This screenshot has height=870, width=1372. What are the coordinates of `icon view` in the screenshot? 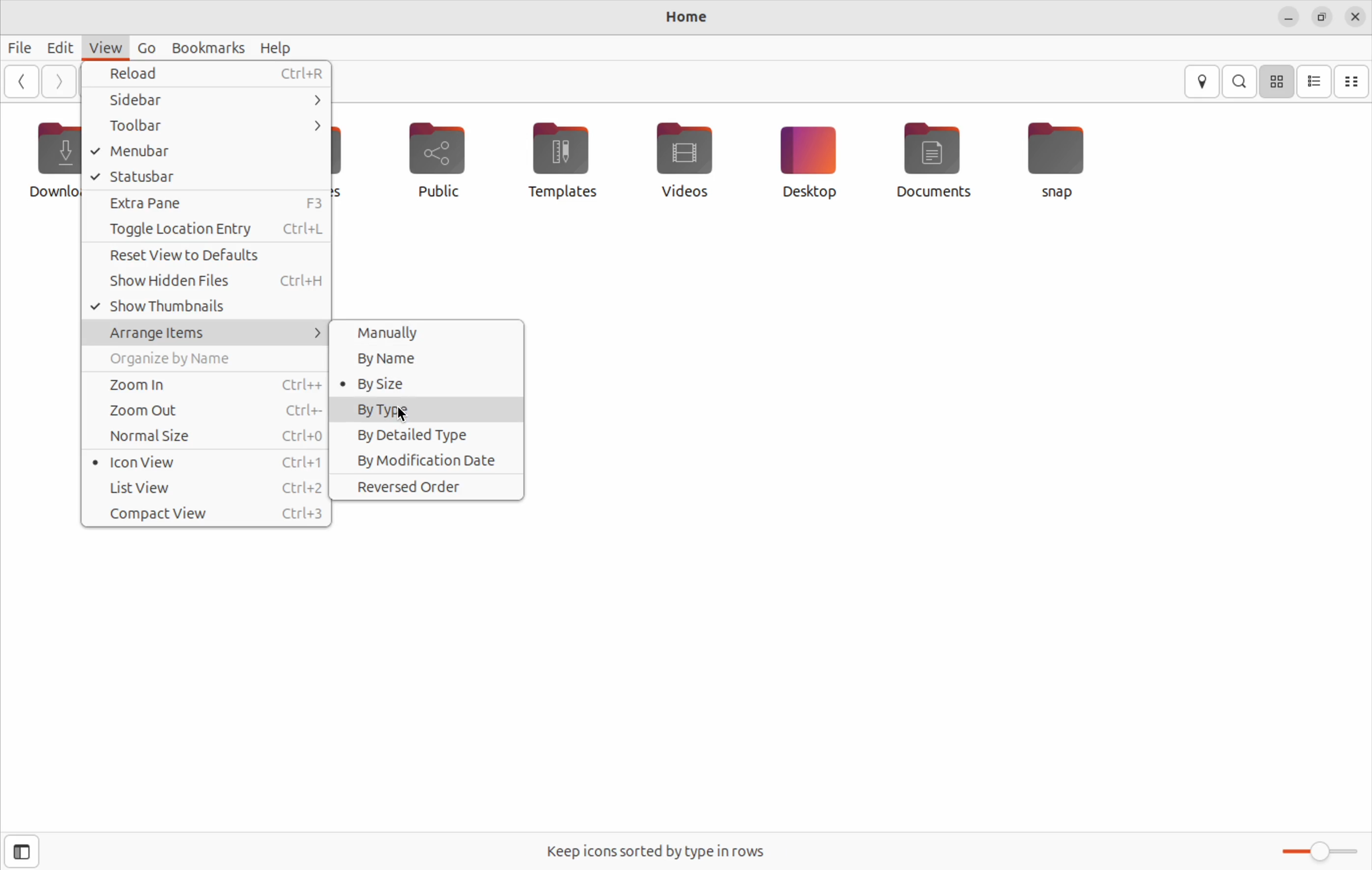 It's located at (1276, 83).